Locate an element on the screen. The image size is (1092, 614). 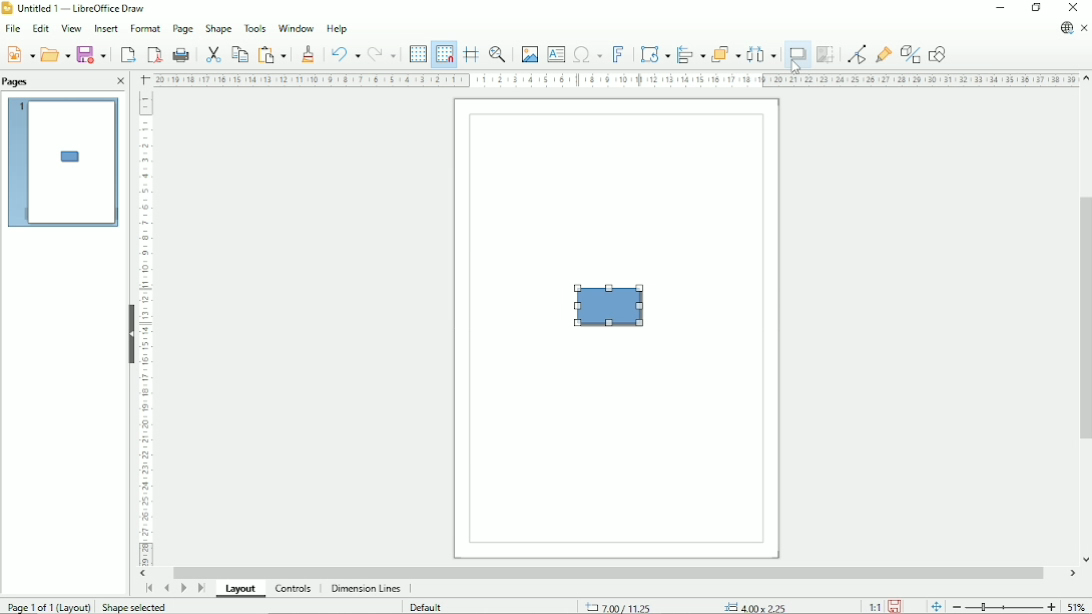
Zoom and pan is located at coordinates (497, 54).